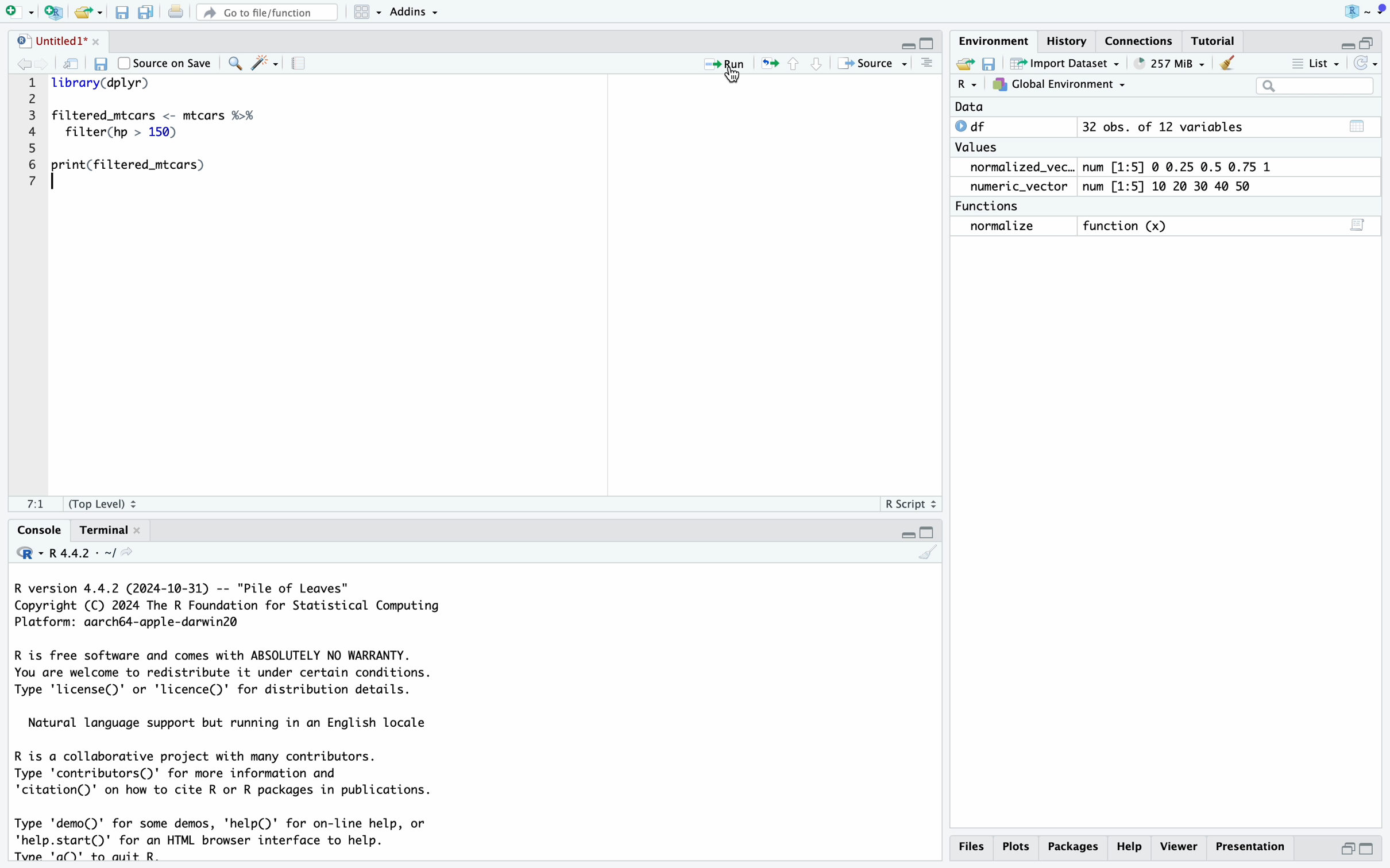 The width and height of the screenshot is (1390, 868). Describe the element at coordinates (929, 533) in the screenshot. I see `maximize` at that location.